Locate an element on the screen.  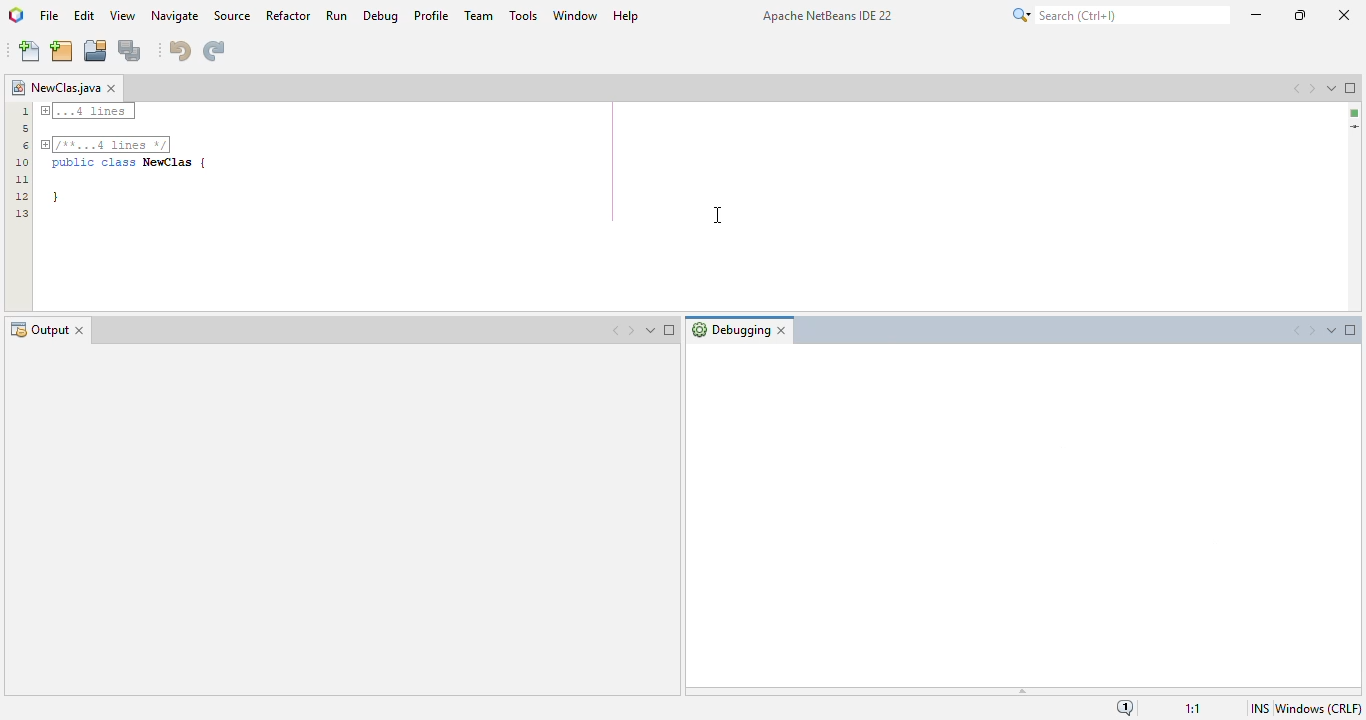
output window is located at coordinates (342, 521).